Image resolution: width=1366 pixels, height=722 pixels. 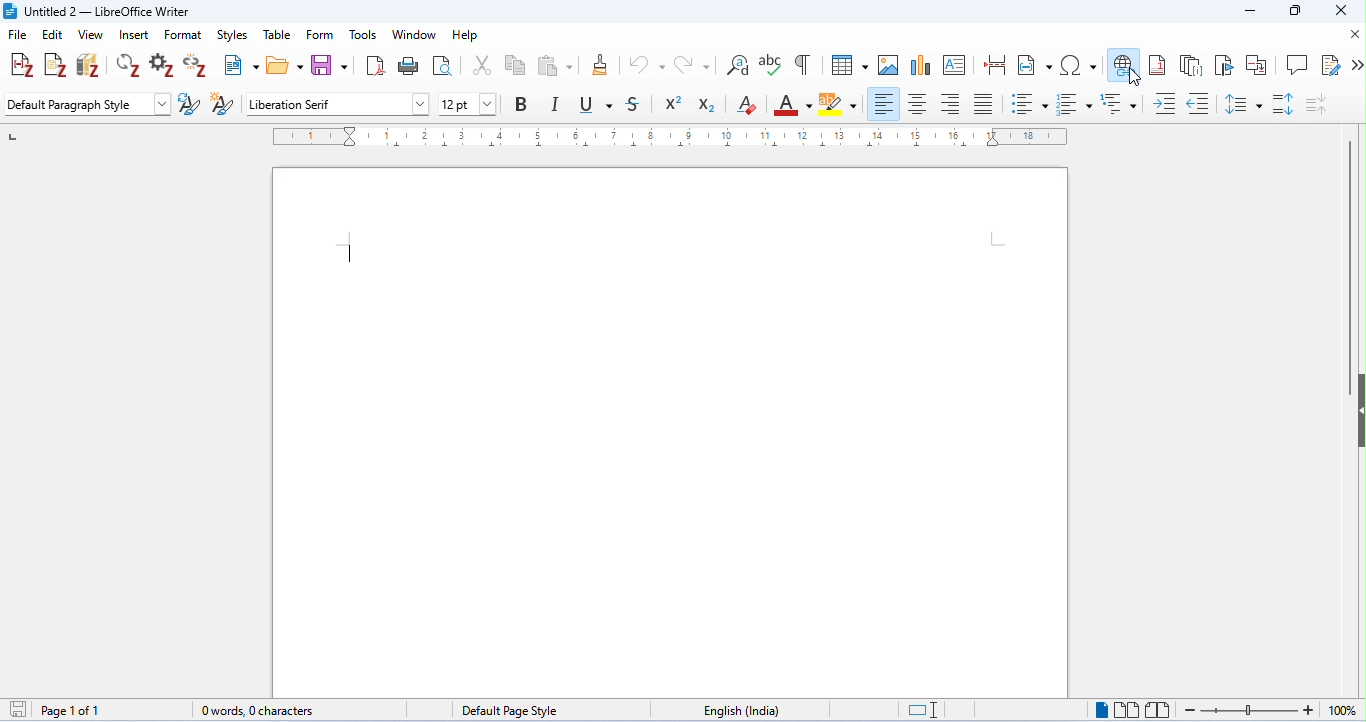 I want to click on close, so click(x=1338, y=11).